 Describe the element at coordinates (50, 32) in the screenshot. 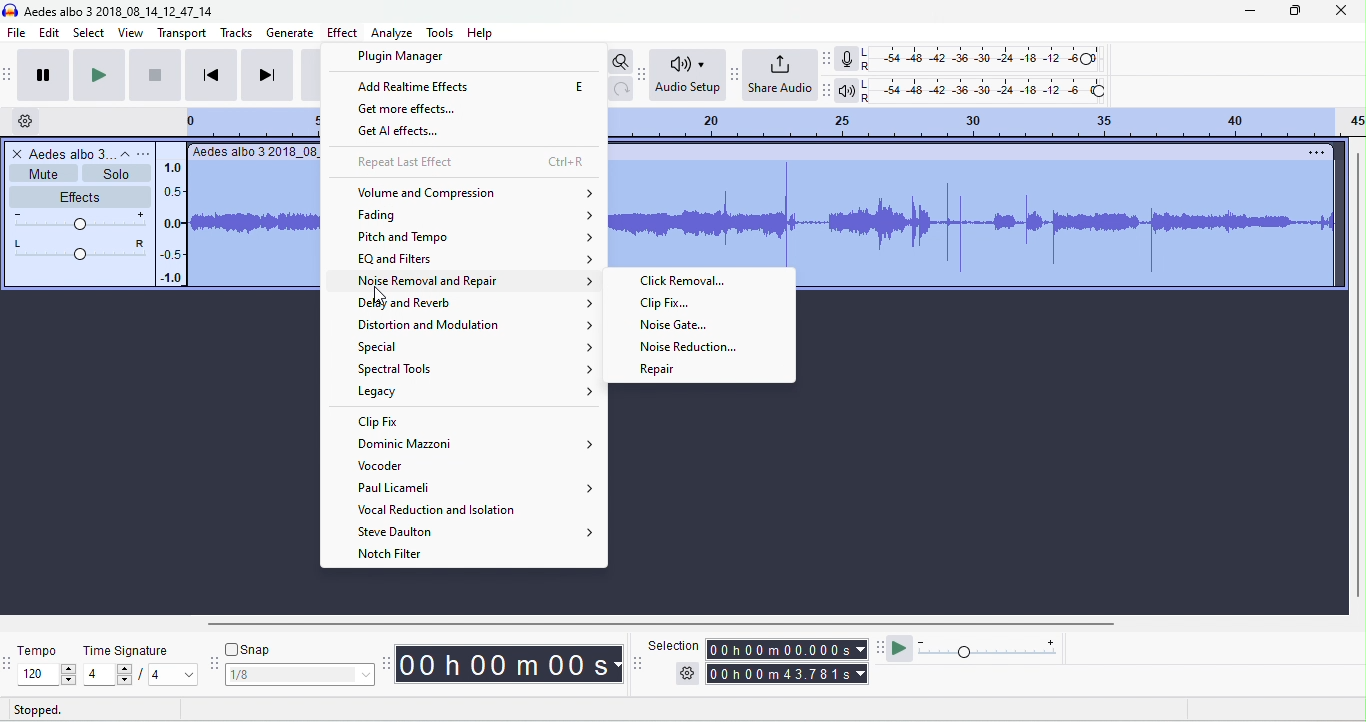

I see `edit` at that location.